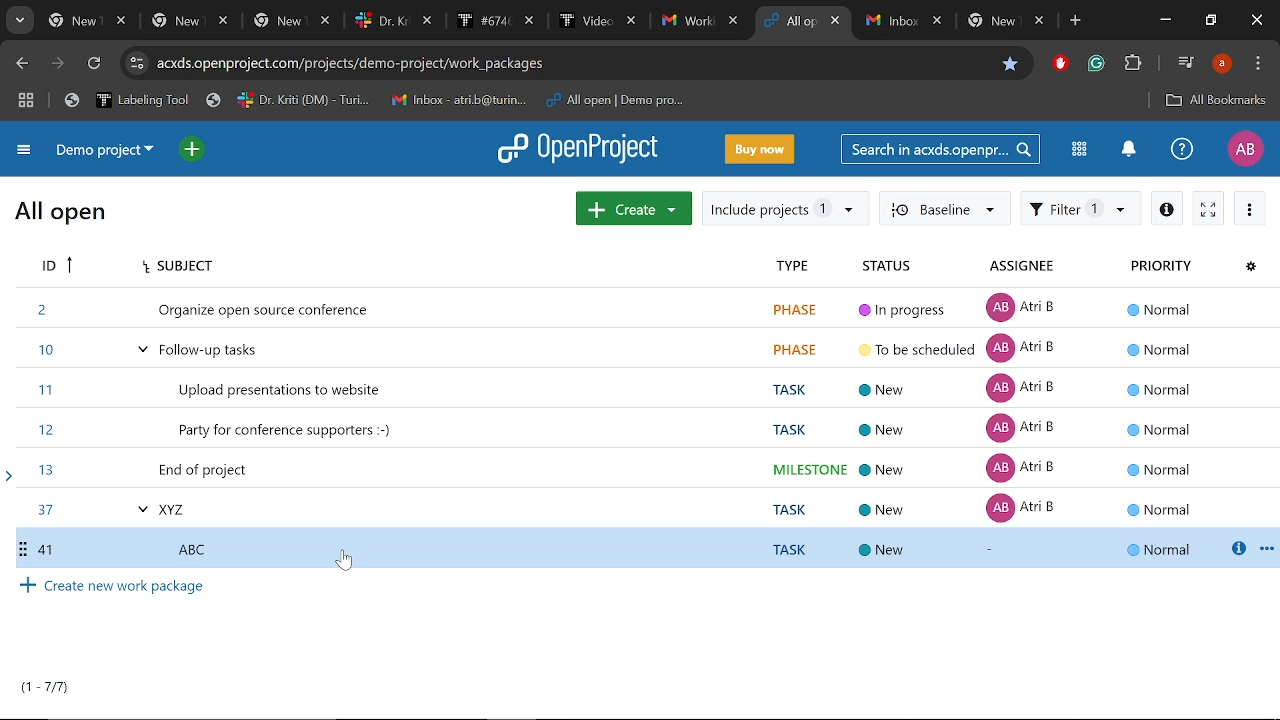  I want to click on Search tabs, so click(18, 21).